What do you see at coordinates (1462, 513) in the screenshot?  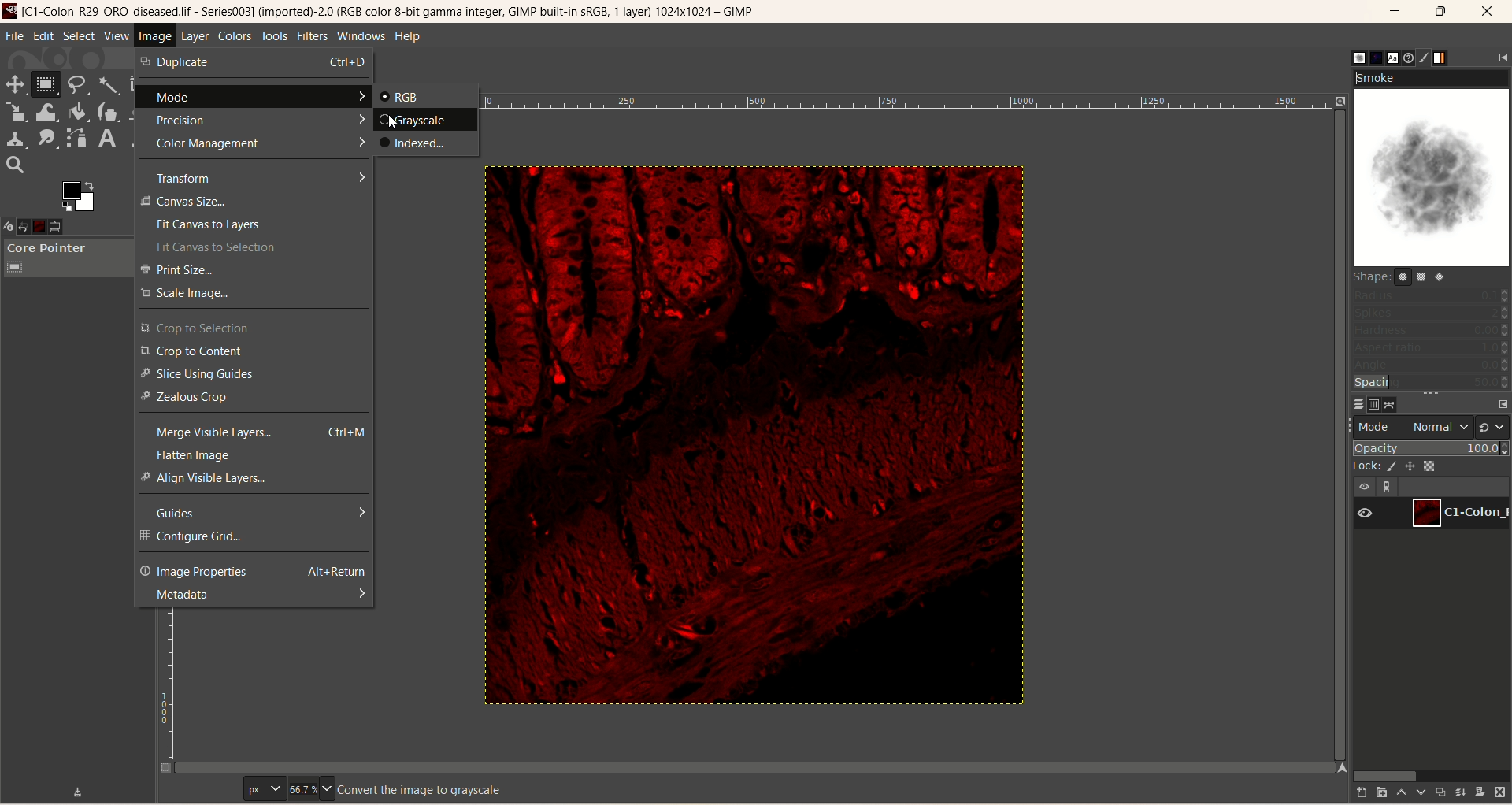 I see `layer1` at bounding box center [1462, 513].